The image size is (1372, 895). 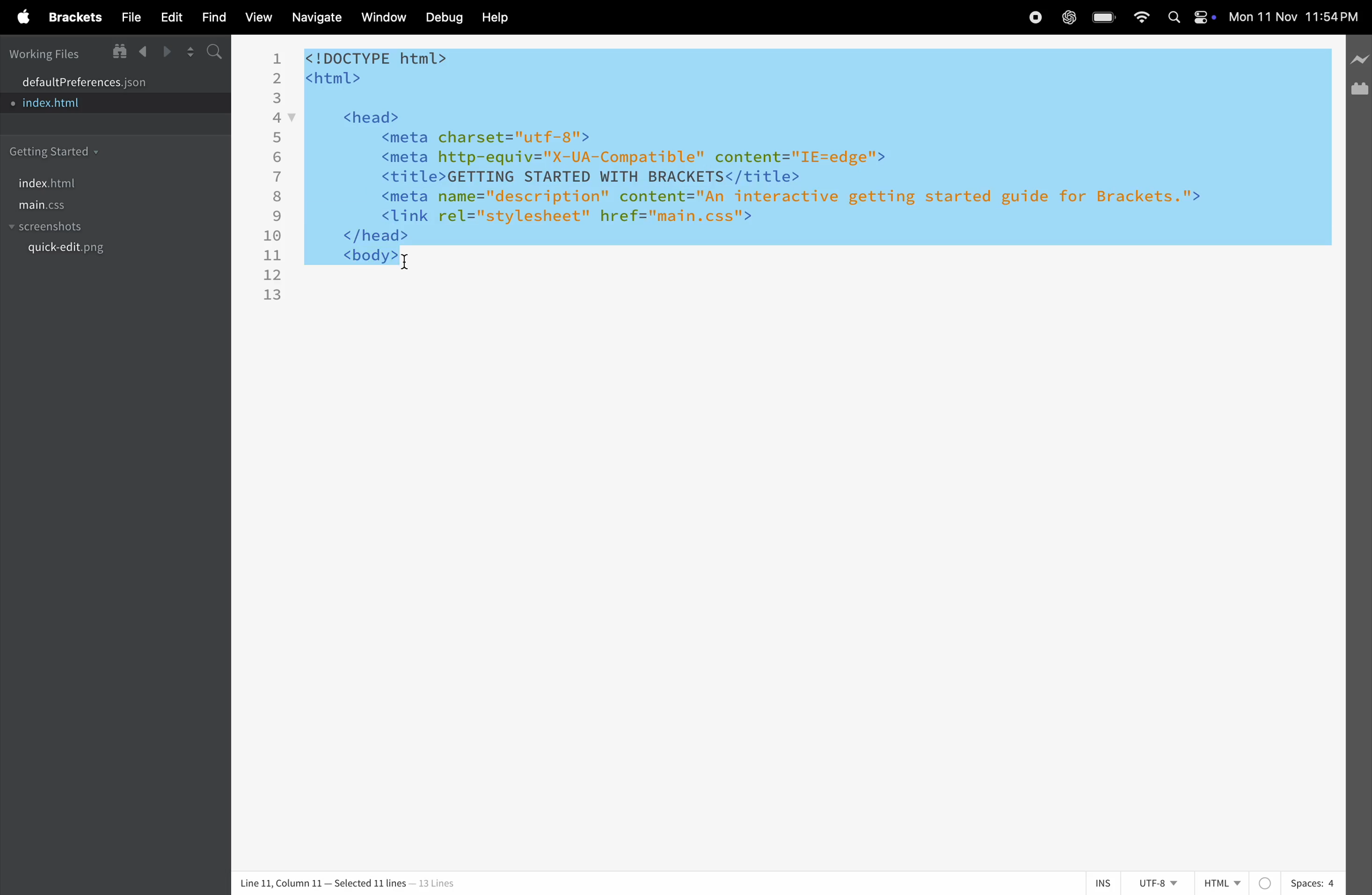 I want to click on 5, so click(x=276, y=138).